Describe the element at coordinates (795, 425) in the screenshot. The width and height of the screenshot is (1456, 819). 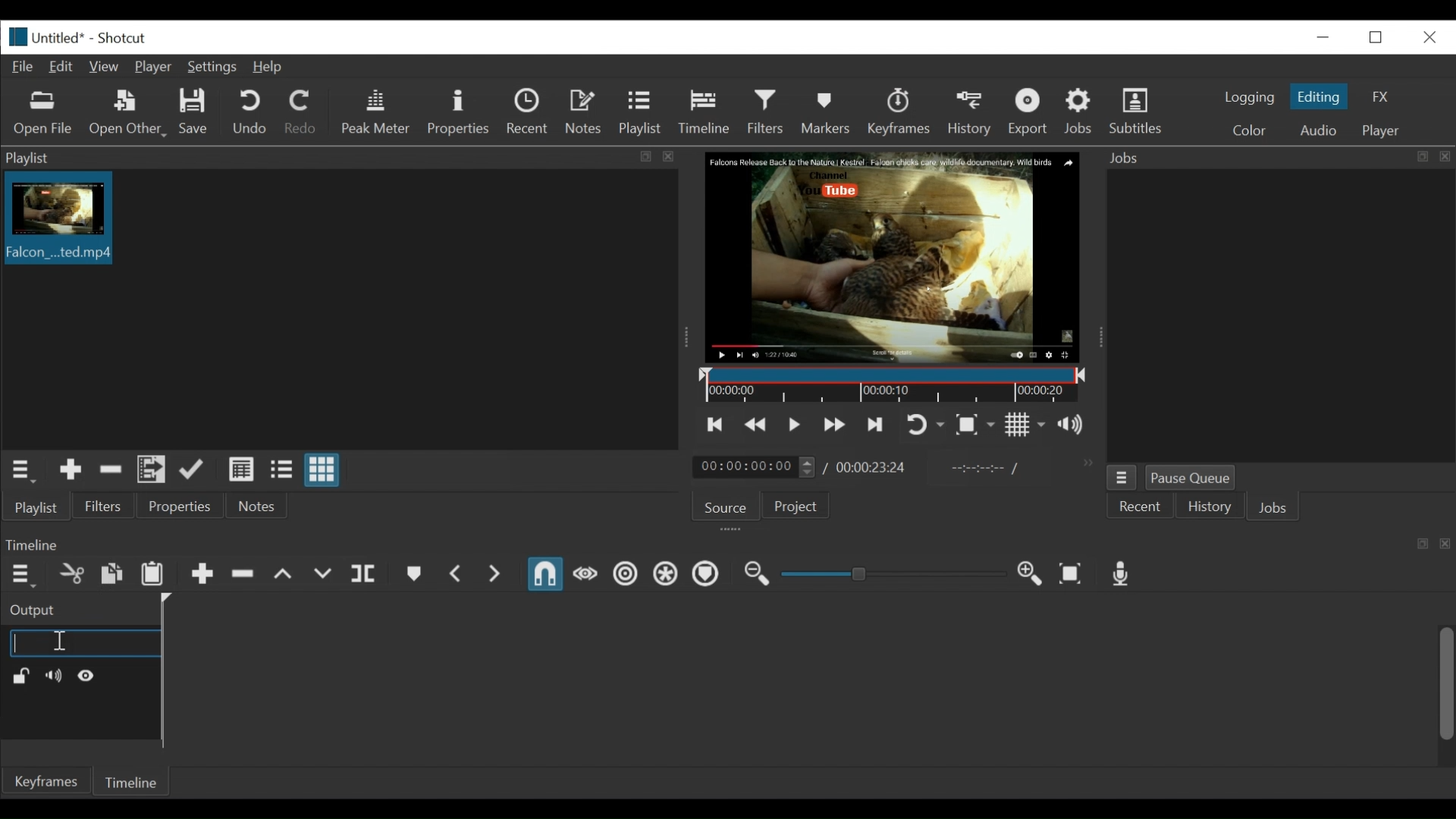
I see `Toggle play or pause` at that location.